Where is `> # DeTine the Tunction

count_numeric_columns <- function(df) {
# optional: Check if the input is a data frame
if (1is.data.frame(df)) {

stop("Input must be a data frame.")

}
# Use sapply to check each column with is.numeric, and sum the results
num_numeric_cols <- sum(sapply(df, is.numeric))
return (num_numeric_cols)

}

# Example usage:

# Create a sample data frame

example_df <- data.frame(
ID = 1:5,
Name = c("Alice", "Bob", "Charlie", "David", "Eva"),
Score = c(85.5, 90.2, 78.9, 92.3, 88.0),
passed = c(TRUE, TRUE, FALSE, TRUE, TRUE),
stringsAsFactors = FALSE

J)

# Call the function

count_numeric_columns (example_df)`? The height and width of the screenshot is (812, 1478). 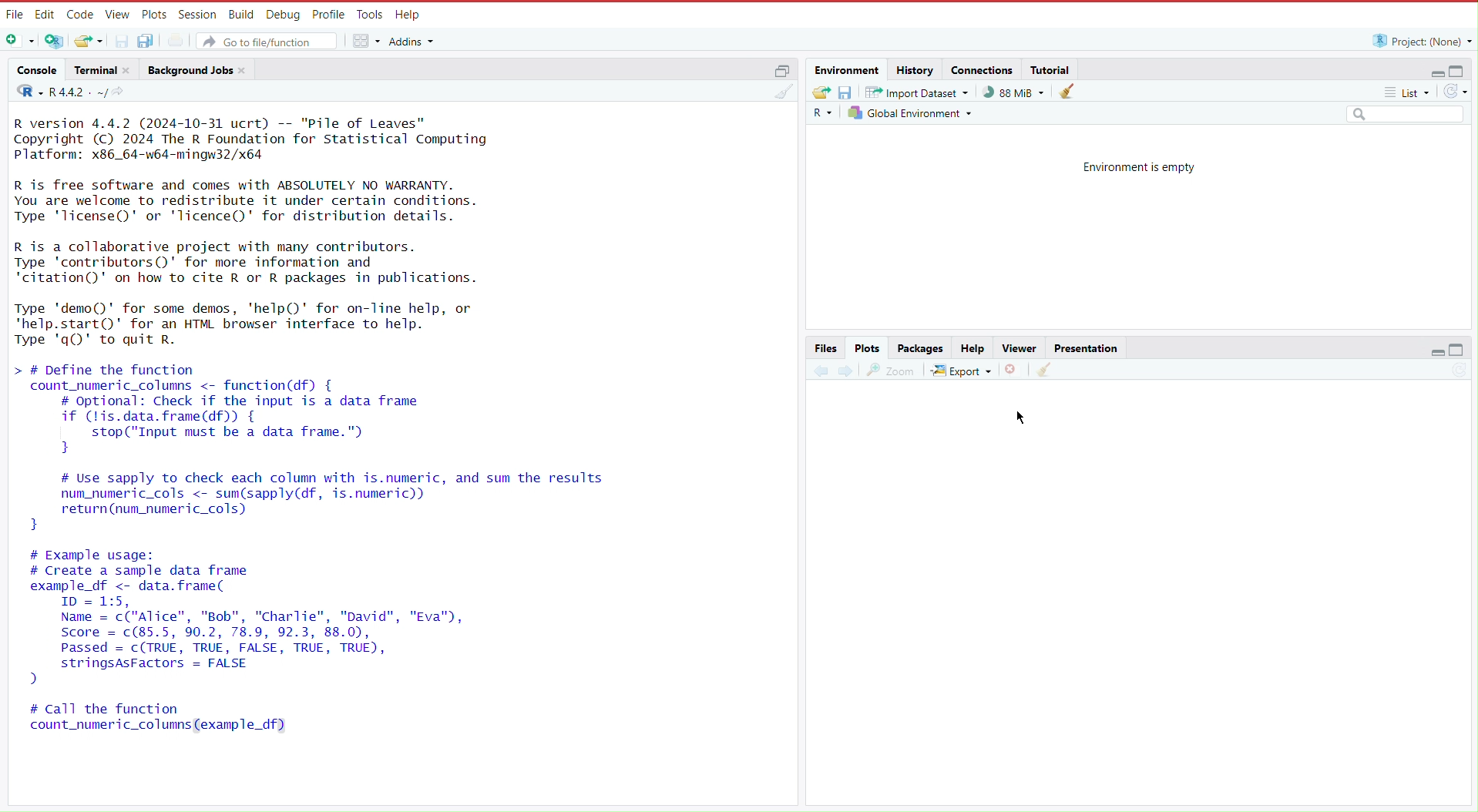 > # DeTine the Tunction

count_numeric_columns <- function(df) {
# optional: Check if the input is a data frame
if (1is.data.frame(df)) {

stop("Input must be a data frame.")

}
# Use sapply to check each column with is.numeric, and sum the results
num_numeric_cols <- sum(sapply(df, is.numeric))
return (num_numeric_cols)

}

# Example usage:

# Create a sample data frame

example_df <- data.frame(
ID = 1:5,
Name = c("Alice", "Bob", "Charlie", "David", "Eva"),
Score = c(85.5, 90.2, 78.9, 92.3, 88.0),
passed = c(TRUE, TRUE, FALSE, TRUE, TRUE),
stringsAsFactors = FALSE

J)

# Call the function

count_numeric_columns (example_df) is located at coordinates (315, 551).